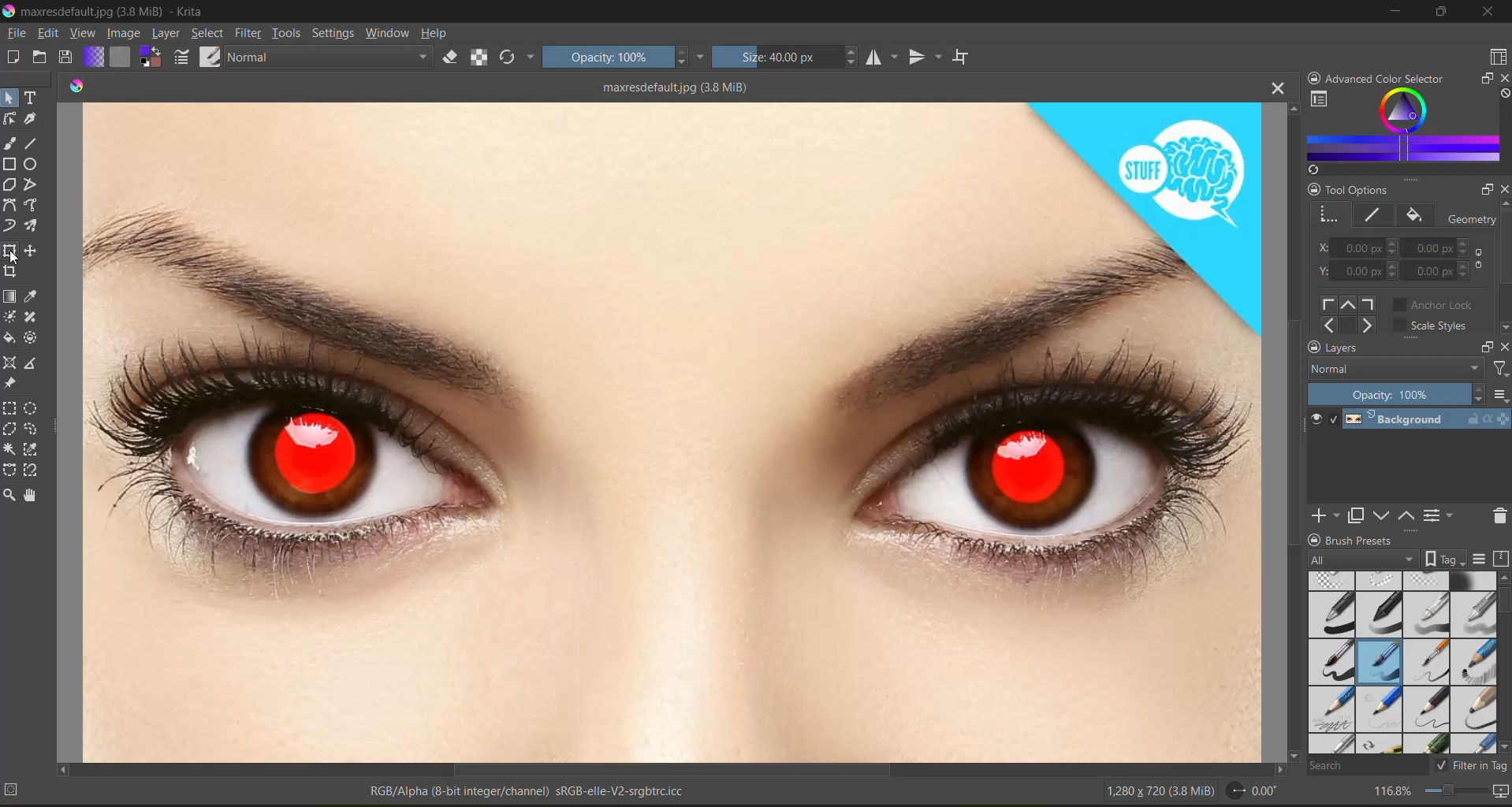 This screenshot has height=807, width=1512. What do you see at coordinates (963, 55) in the screenshot?
I see `wrap around mode` at bounding box center [963, 55].